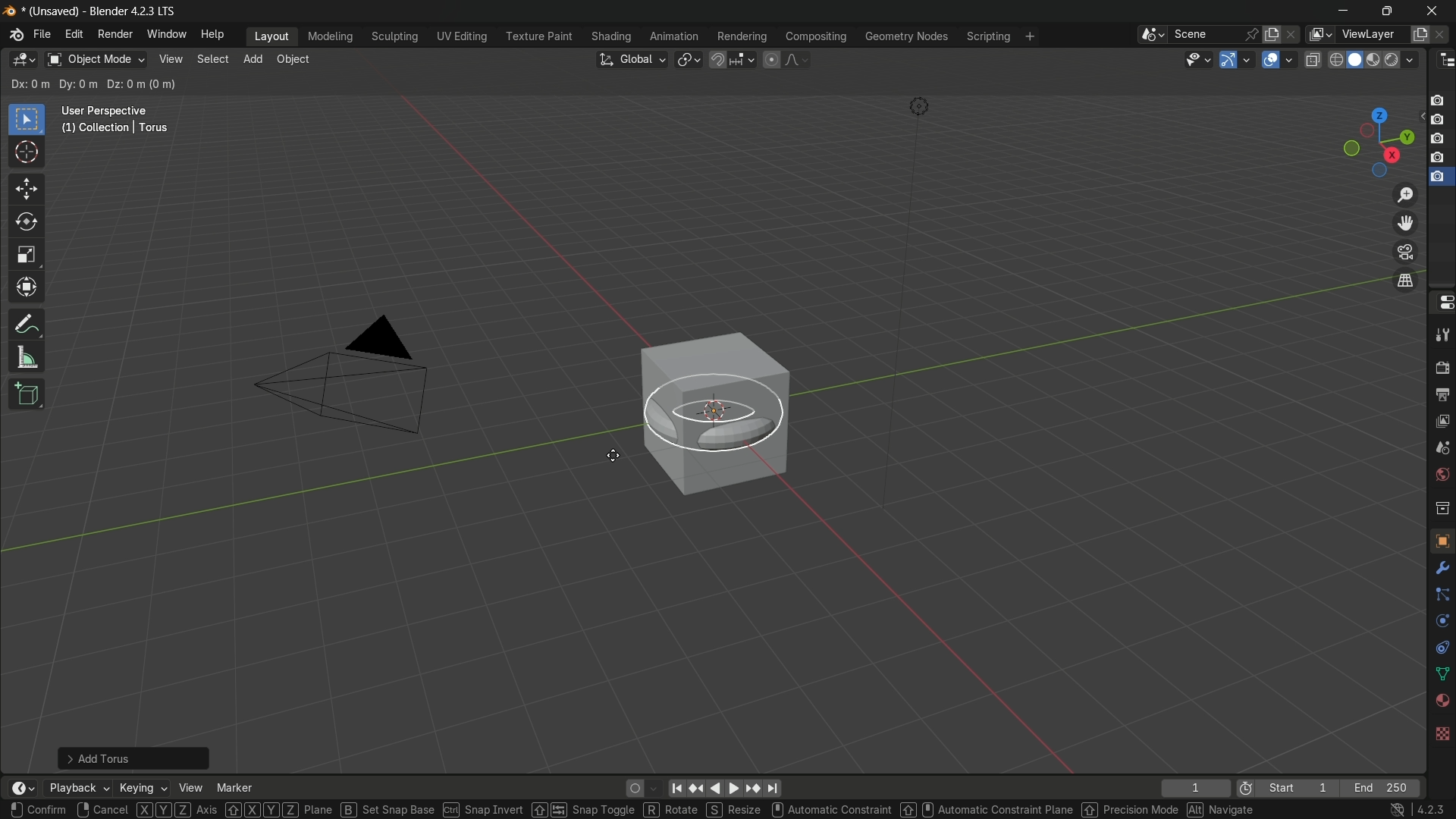 The width and height of the screenshot is (1456, 819). I want to click on 3D viewport, so click(23, 60).